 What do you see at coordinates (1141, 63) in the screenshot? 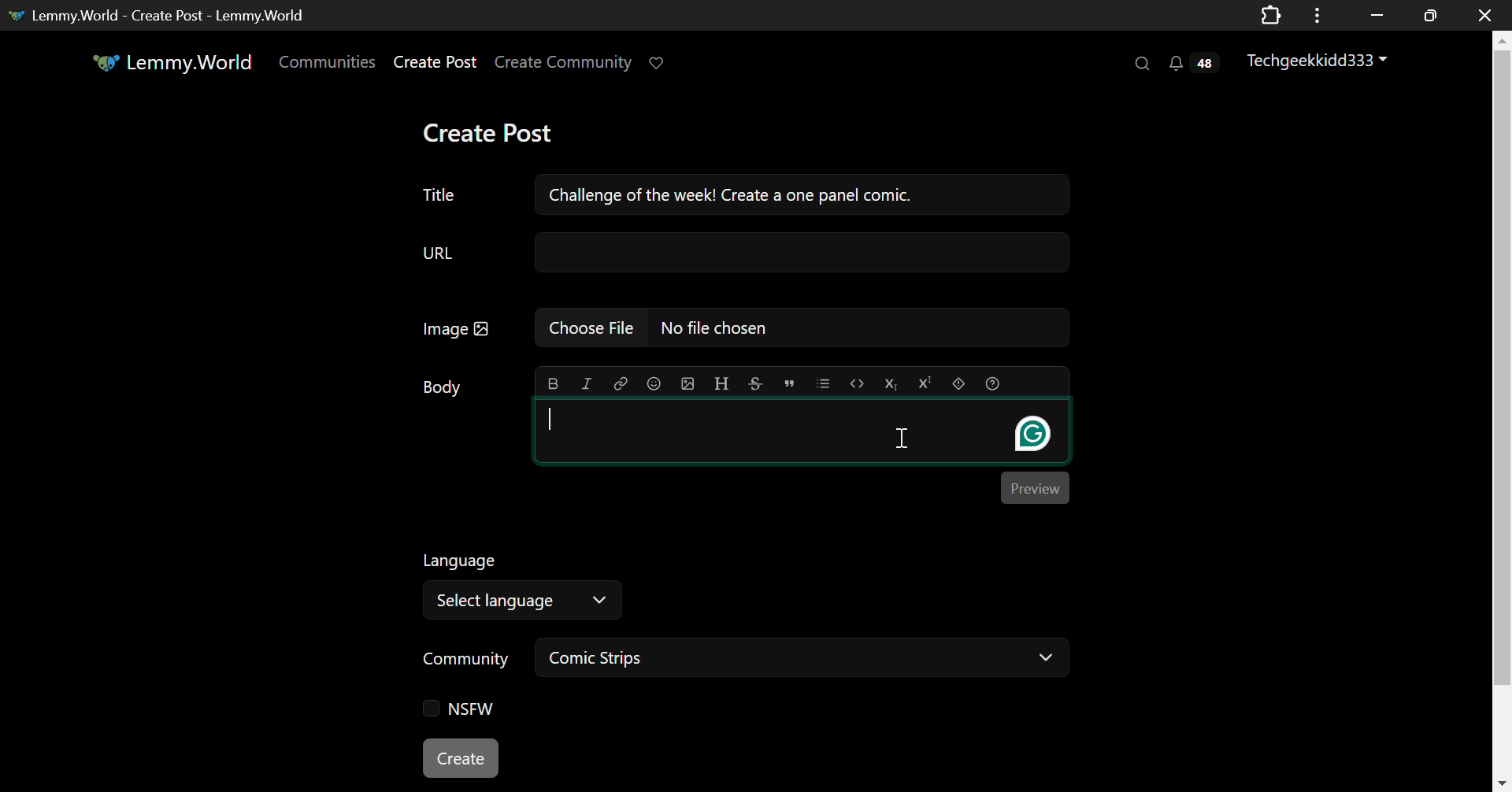
I see `Search ` at bounding box center [1141, 63].